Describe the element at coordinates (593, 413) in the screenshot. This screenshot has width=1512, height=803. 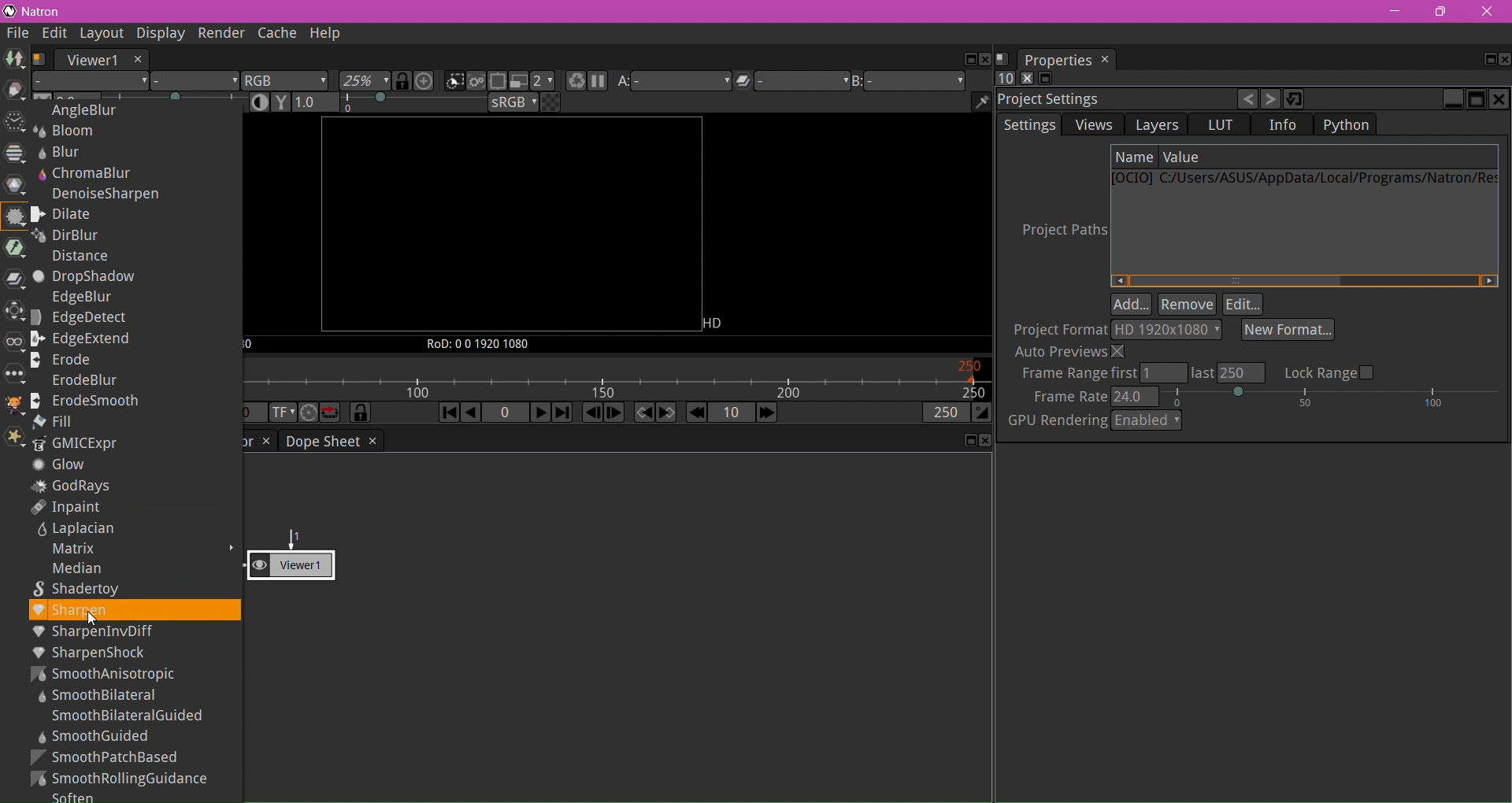
I see `Previous frame` at that location.